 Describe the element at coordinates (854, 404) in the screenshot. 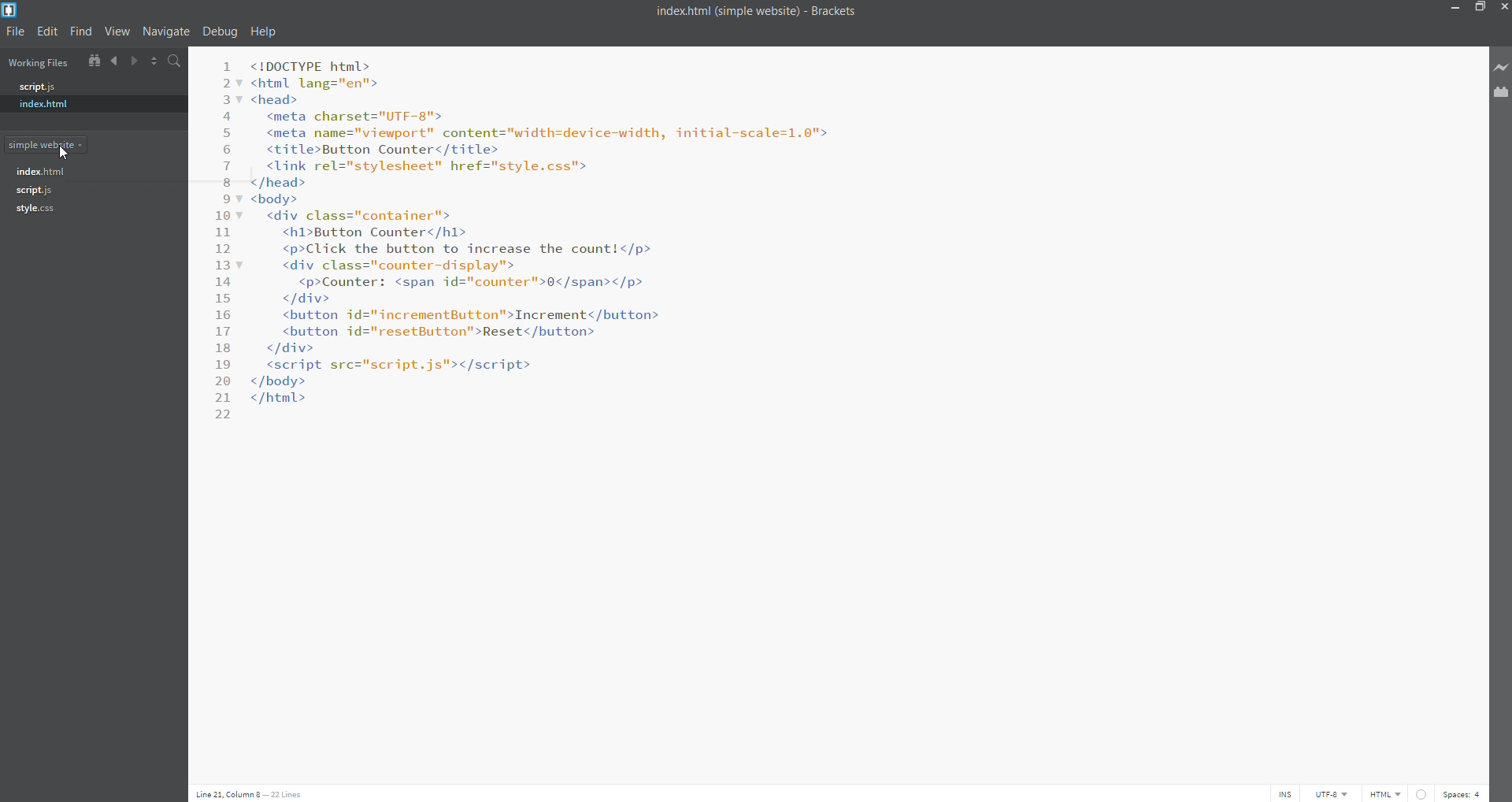

I see `<IDOCTYPE html>
<html lang="en">
<head>
<meta charset="UTF-8">
<meta name="viewport" content="width=device-width, initial-scale=1.0">
<title>Button Counter</title>
<link rel="stylesheet" href="style.css">
</head>
<body>
<div class="container">
<h1>Button Counter</h1>
<p>Click the button to increase the count!</p>
<div class="counter-display">
<p>Counter: <span id="counter">0</span></p>
</div>
<button id="incrementButton">Increment</button>
<button id="resetButton">Reset</button>
</div>
<script sre="script.js"></script>
</body>
</html>` at that location.